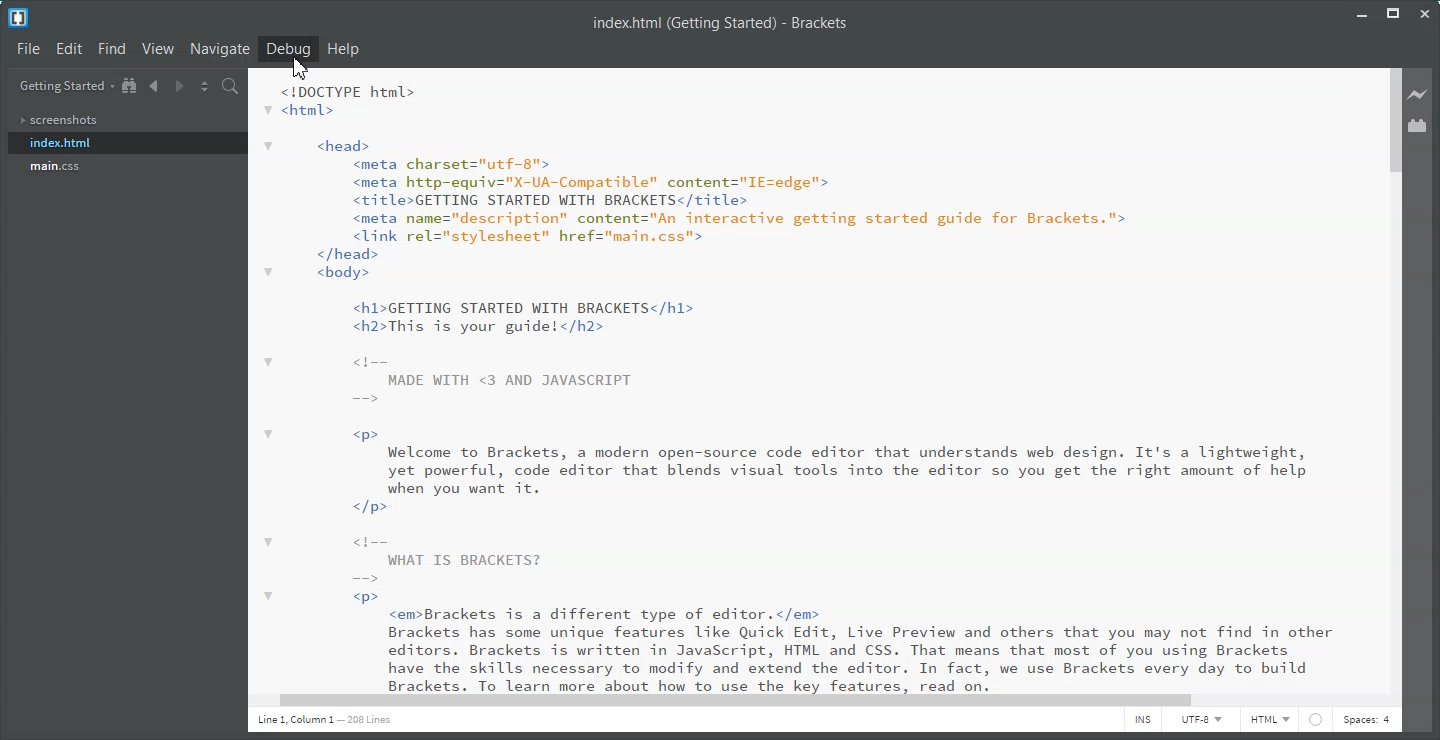 The width and height of the screenshot is (1440, 740). I want to click on File, so click(28, 48).